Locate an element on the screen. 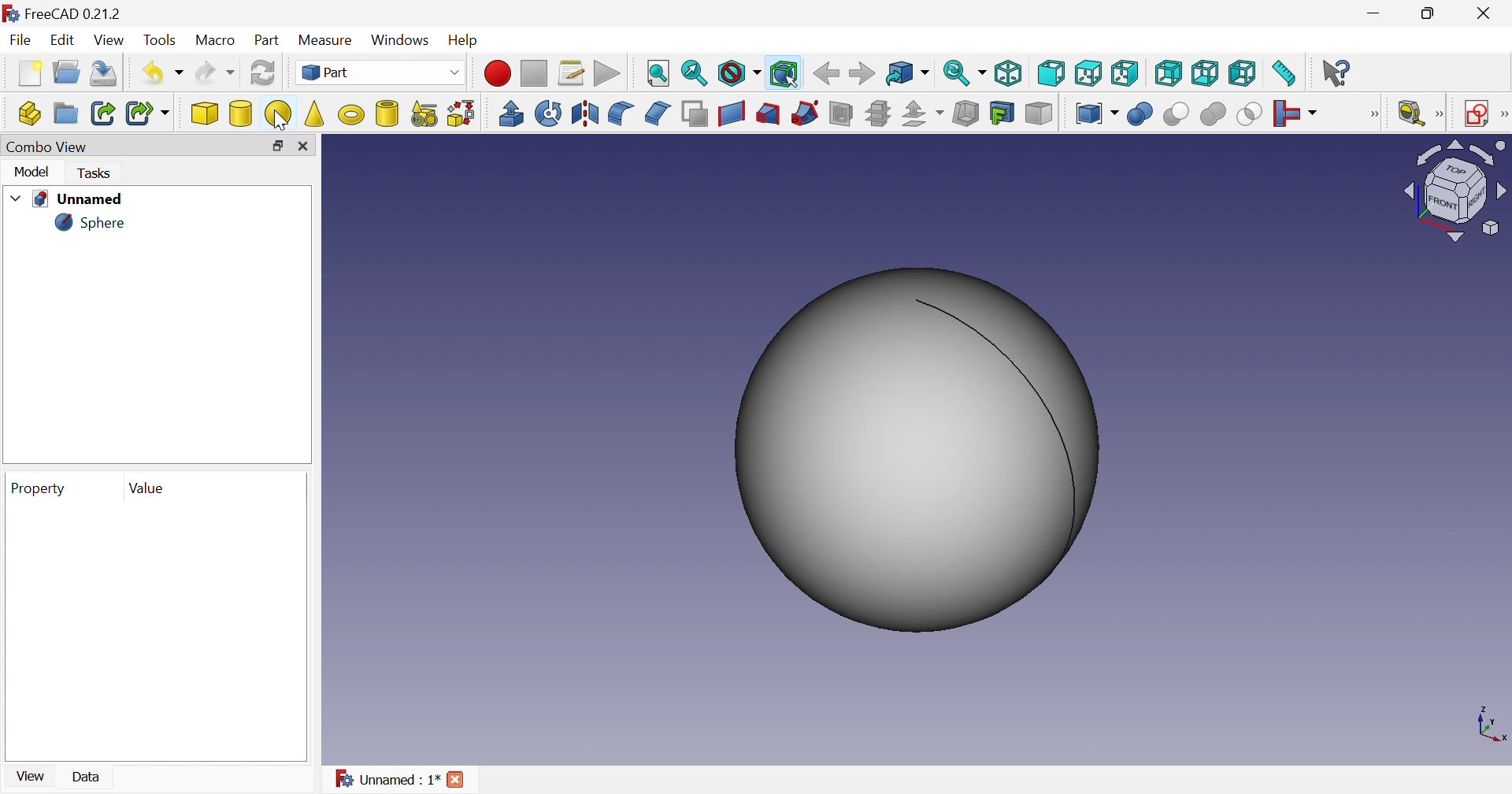 This screenshot has width=1512, height=794. Sync view is located at coordinates (906, 72).